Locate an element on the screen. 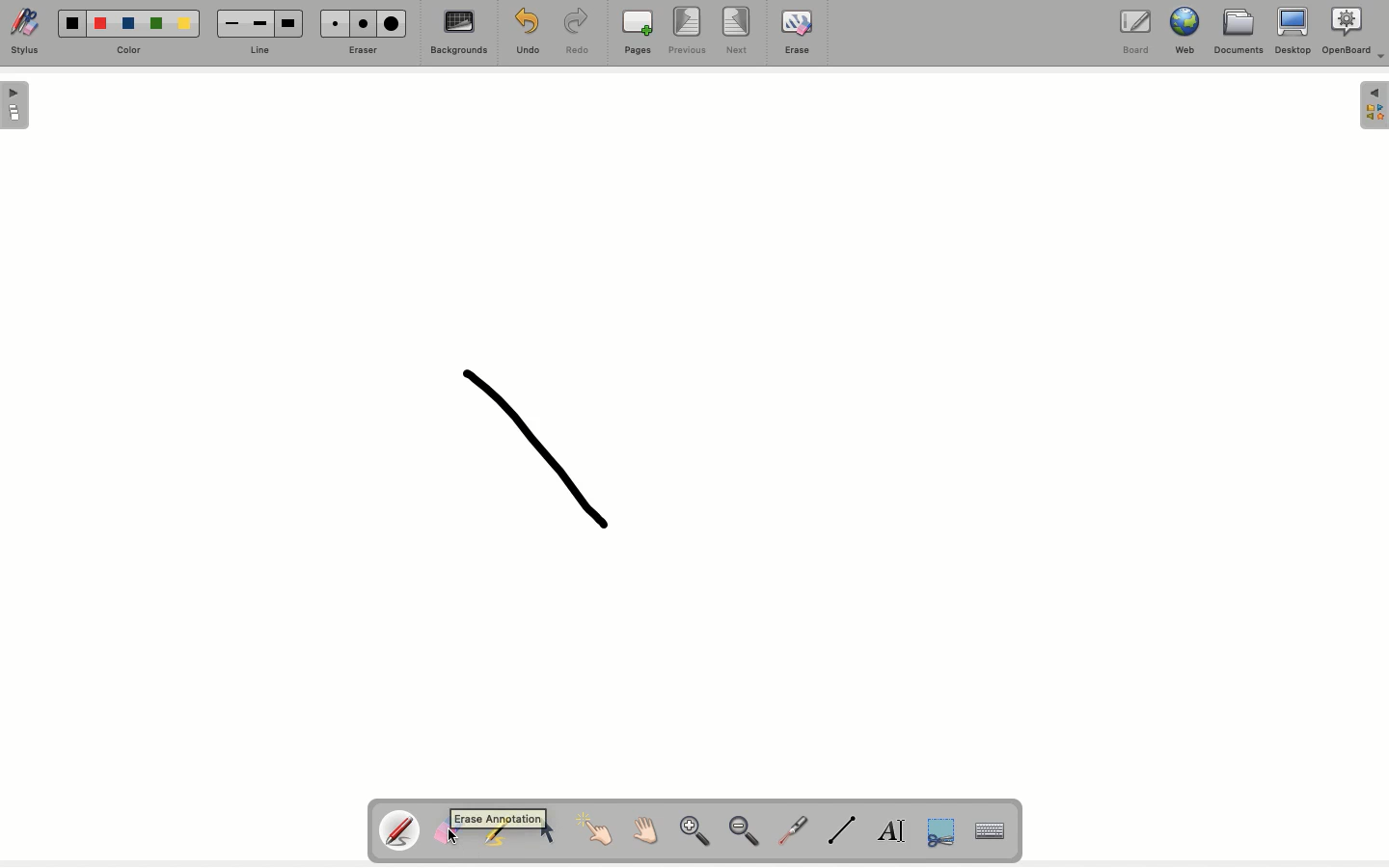 The image size is (1389, 868). Small is located at coordinates (233, 23).